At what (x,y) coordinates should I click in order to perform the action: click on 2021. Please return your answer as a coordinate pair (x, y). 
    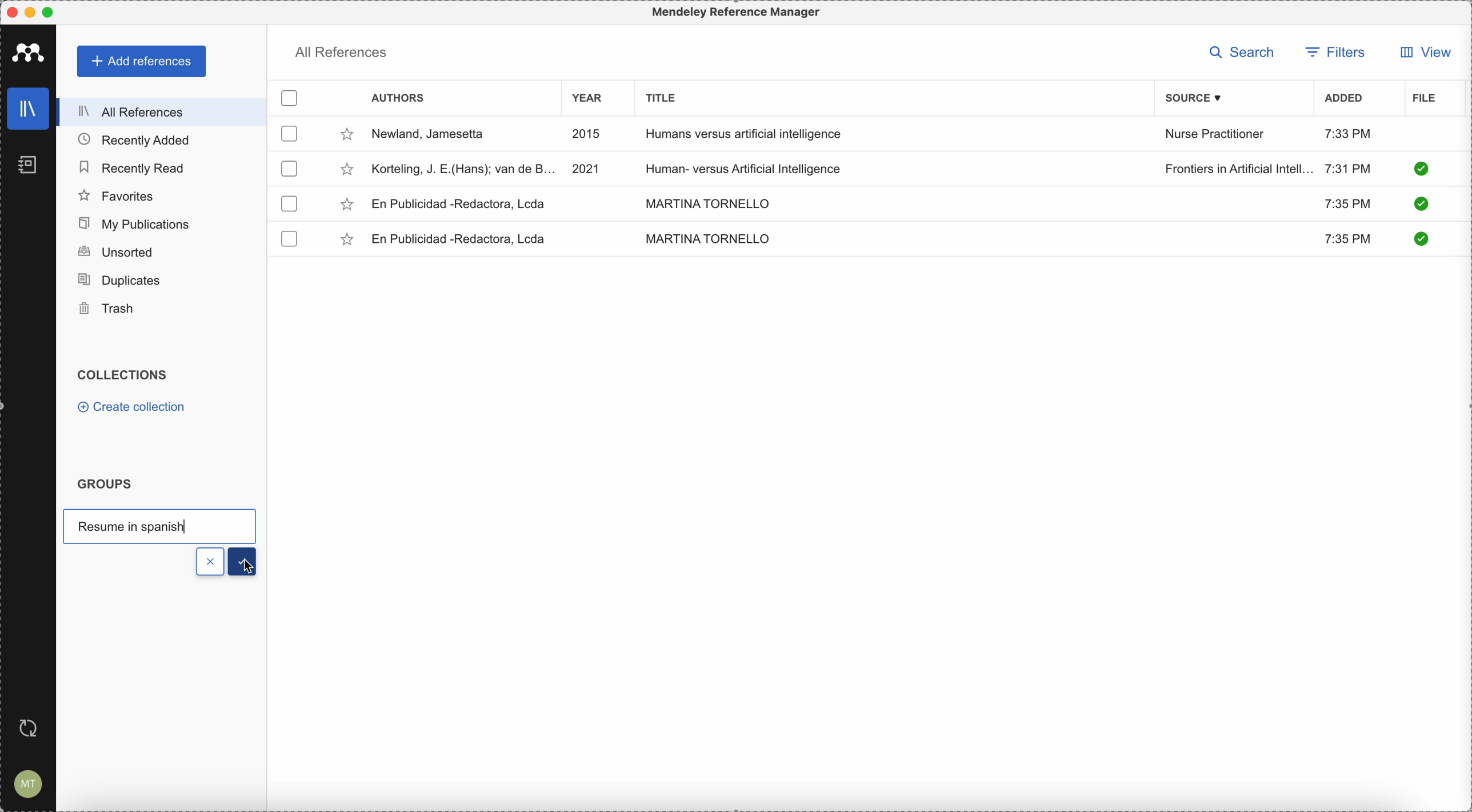
    Looking at the image, I should click on (587, 167).